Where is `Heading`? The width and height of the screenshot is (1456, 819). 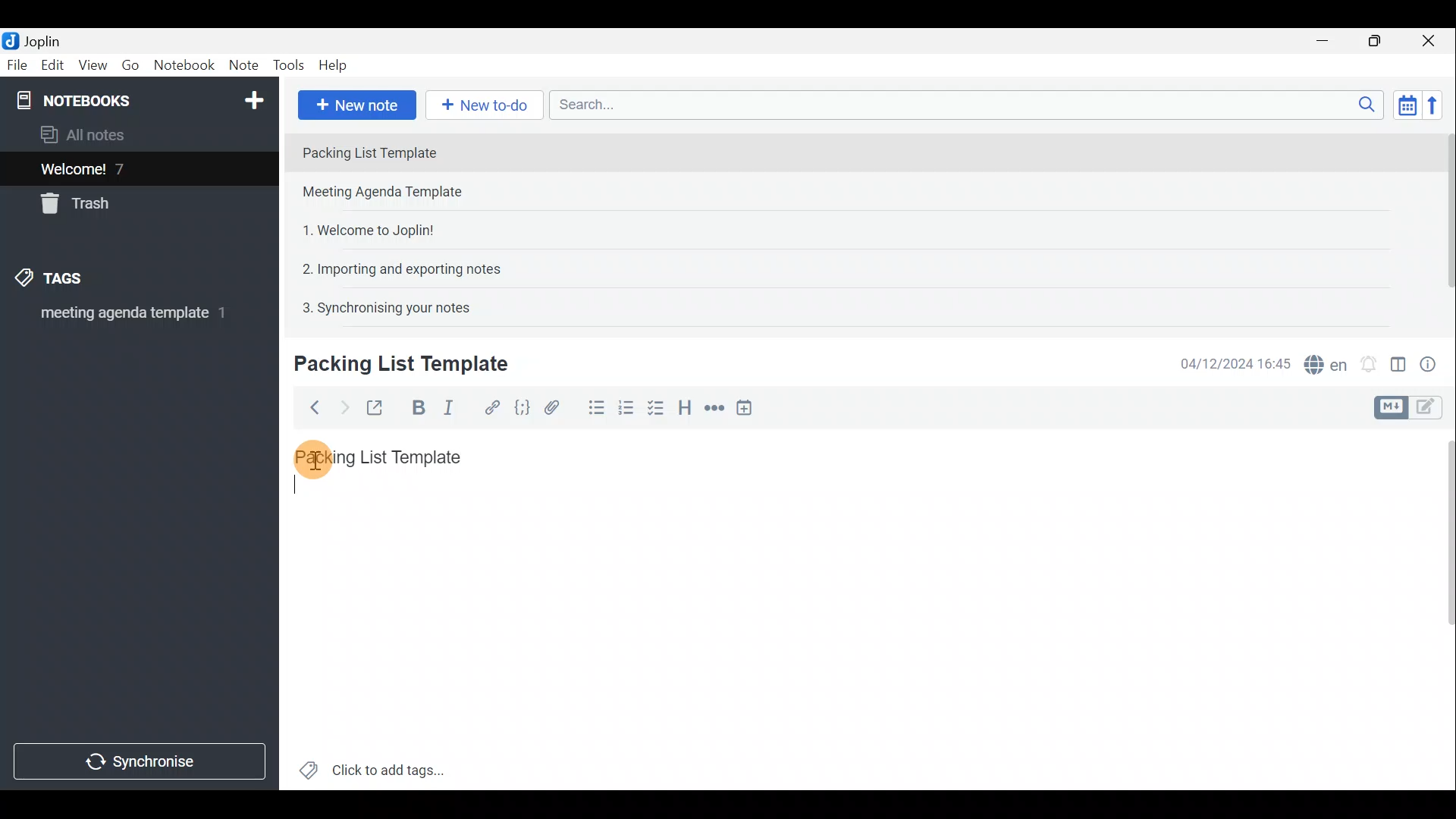 Heading is located at coordinates (686, 406).